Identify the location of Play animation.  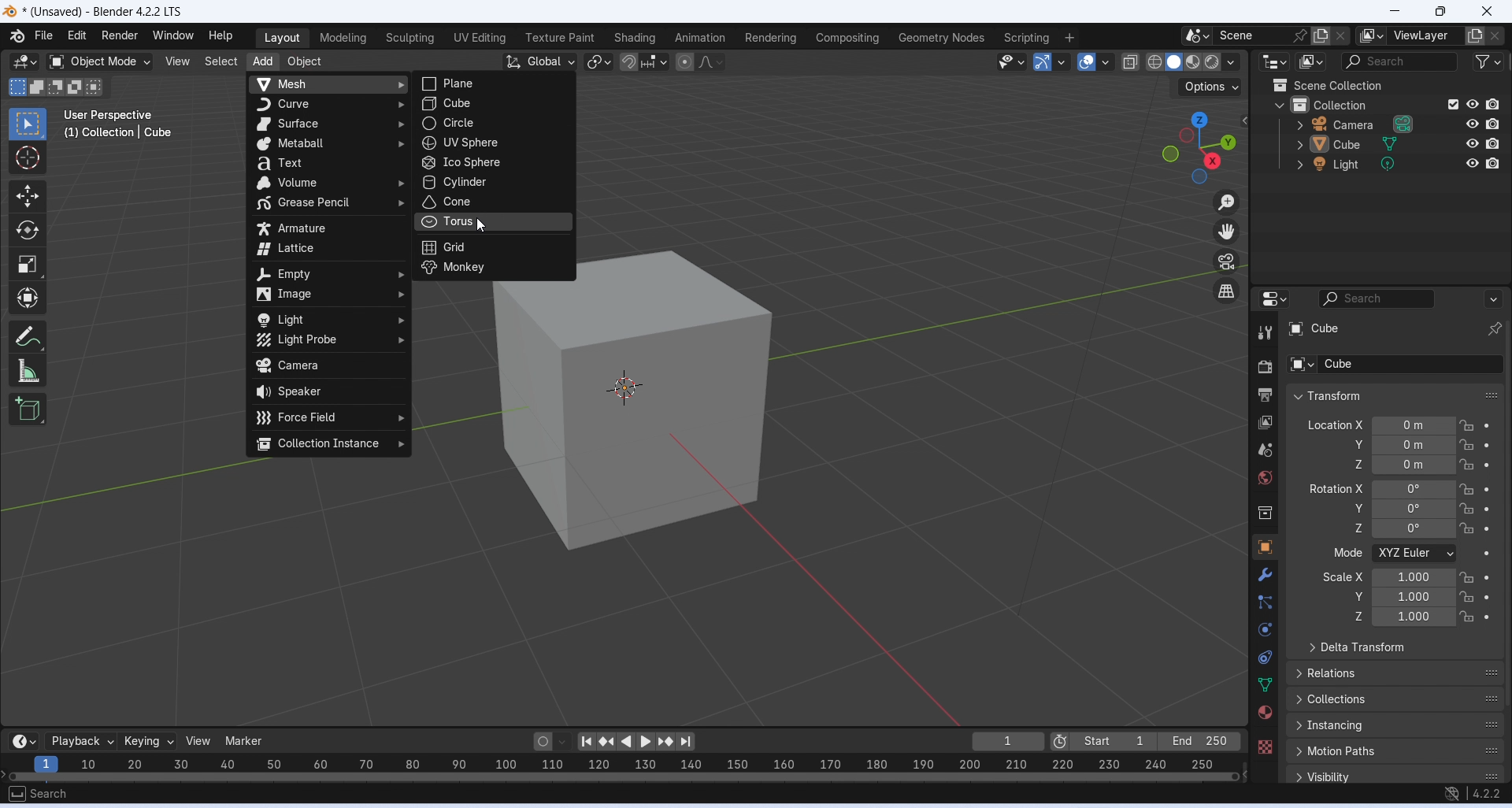
(645, 743).